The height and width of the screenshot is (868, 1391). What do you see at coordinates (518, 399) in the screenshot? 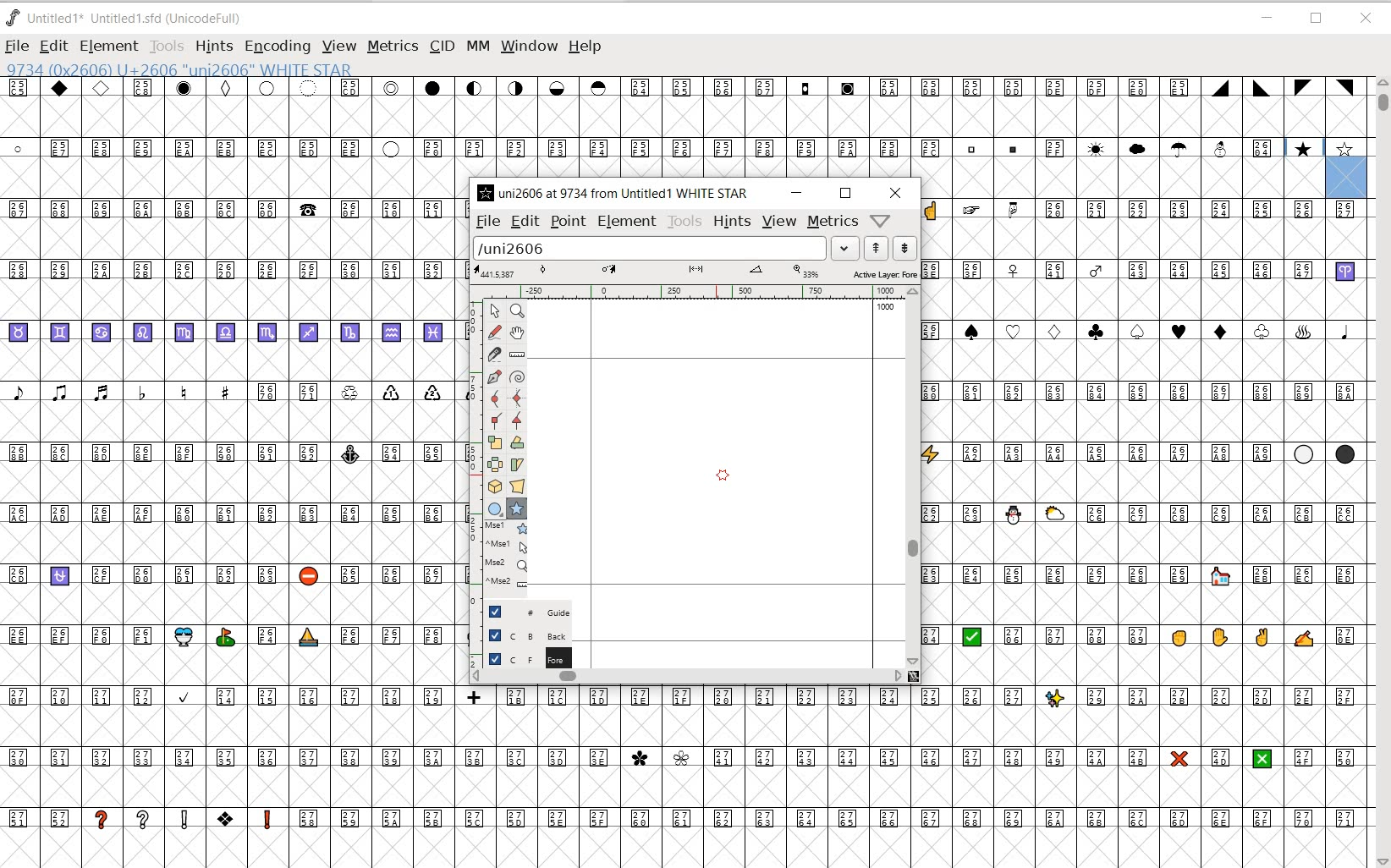
I see `ADD CURVE POINT` at bounding box center [518, 399].